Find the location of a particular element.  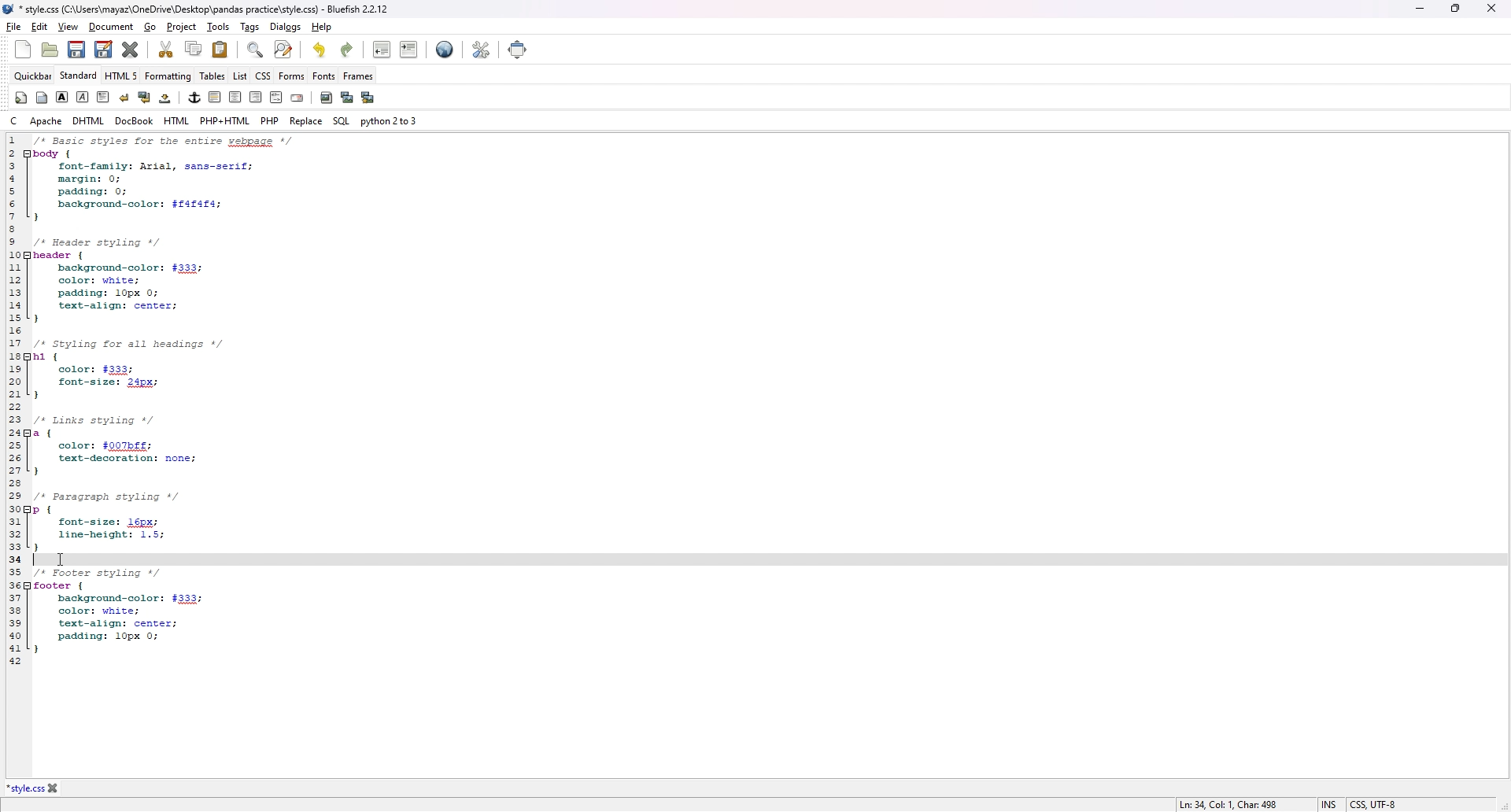

multi thumbnail is located at coordinates (368, 98).